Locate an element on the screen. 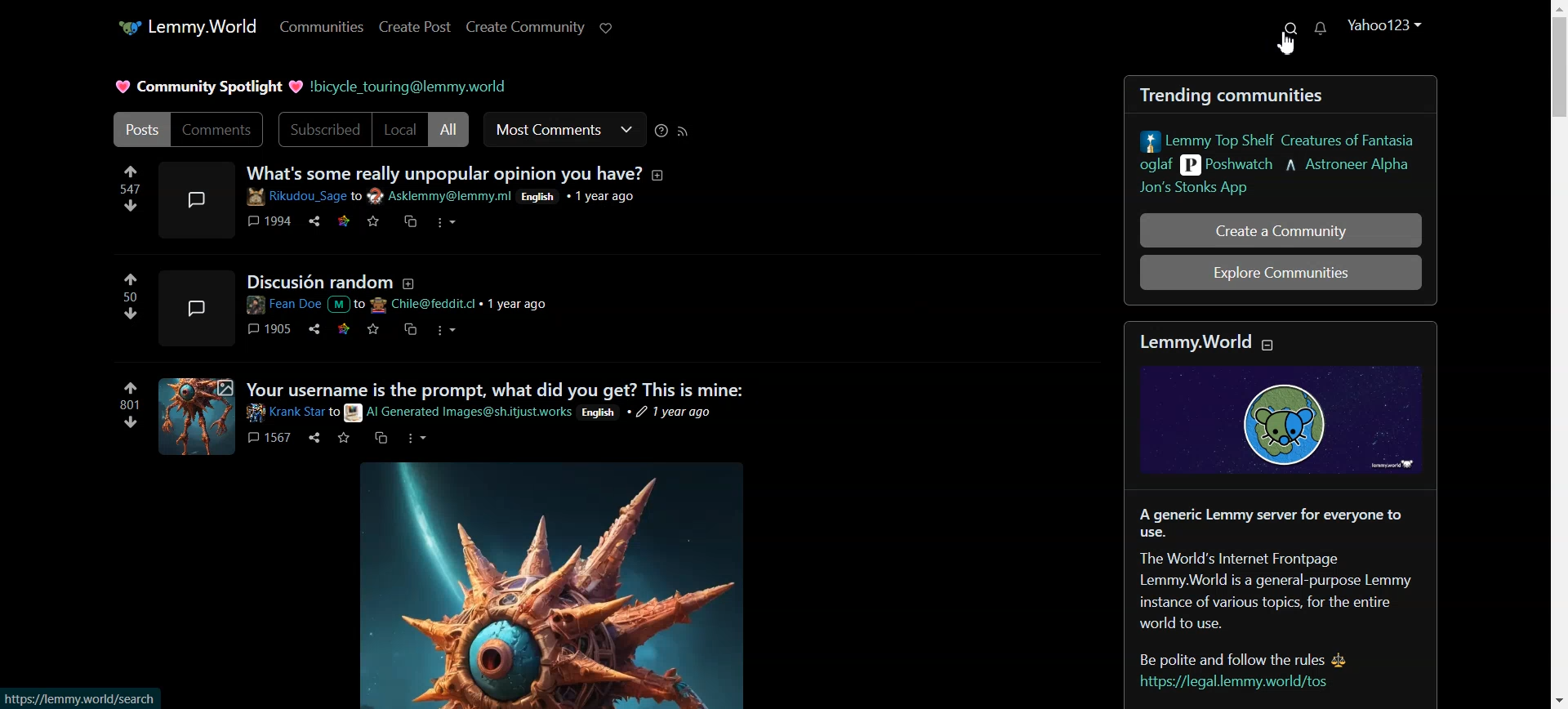 Image resolution: width=1568 pixels, height=709 pixels. messages is located at coordinates (410, 329).